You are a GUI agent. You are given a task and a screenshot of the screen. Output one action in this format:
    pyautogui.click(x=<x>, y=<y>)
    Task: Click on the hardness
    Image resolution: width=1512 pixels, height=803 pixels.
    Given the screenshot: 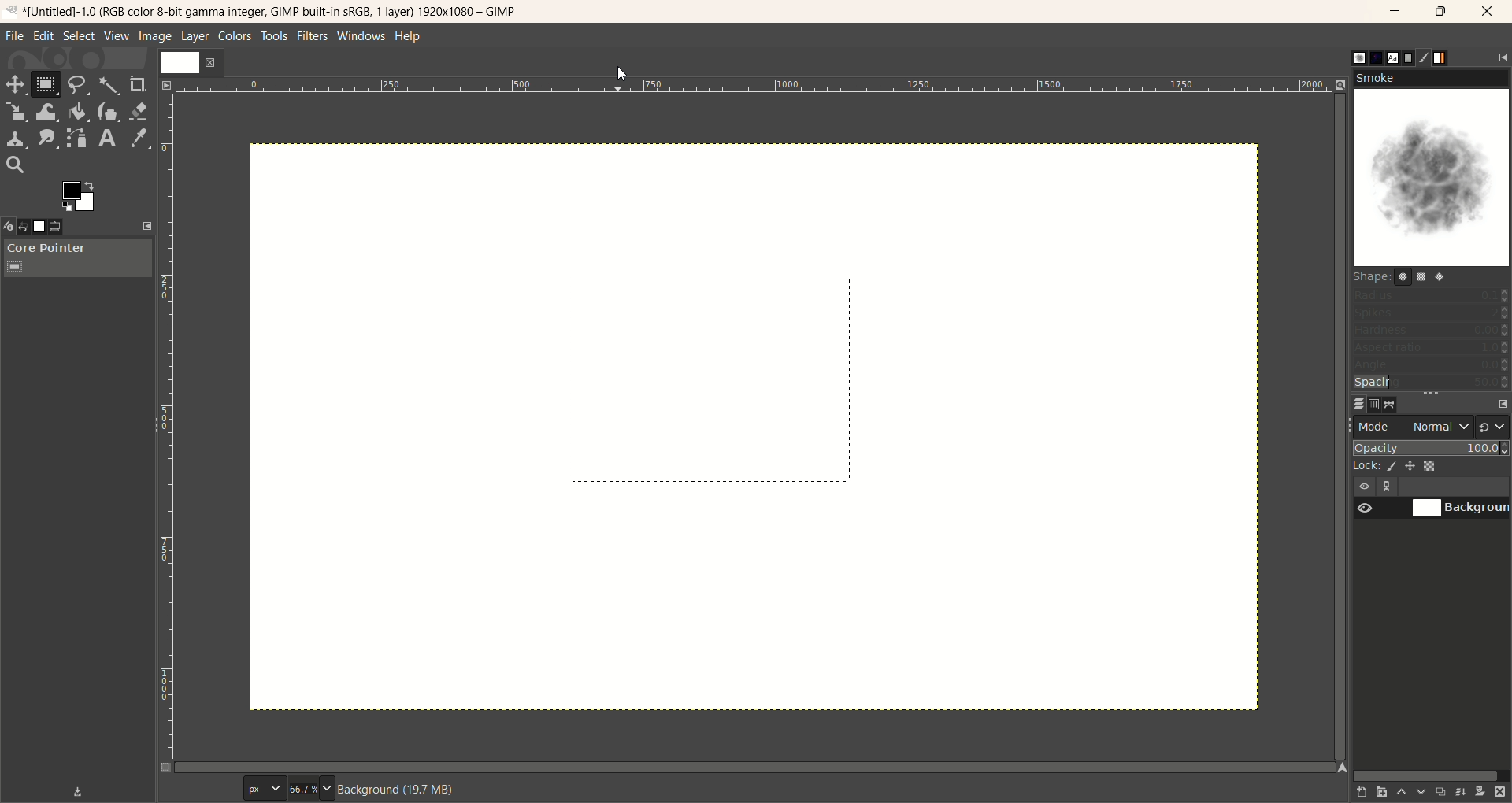 What is the action you would take?
    pyautogui.click(x=1431, y=331)
    